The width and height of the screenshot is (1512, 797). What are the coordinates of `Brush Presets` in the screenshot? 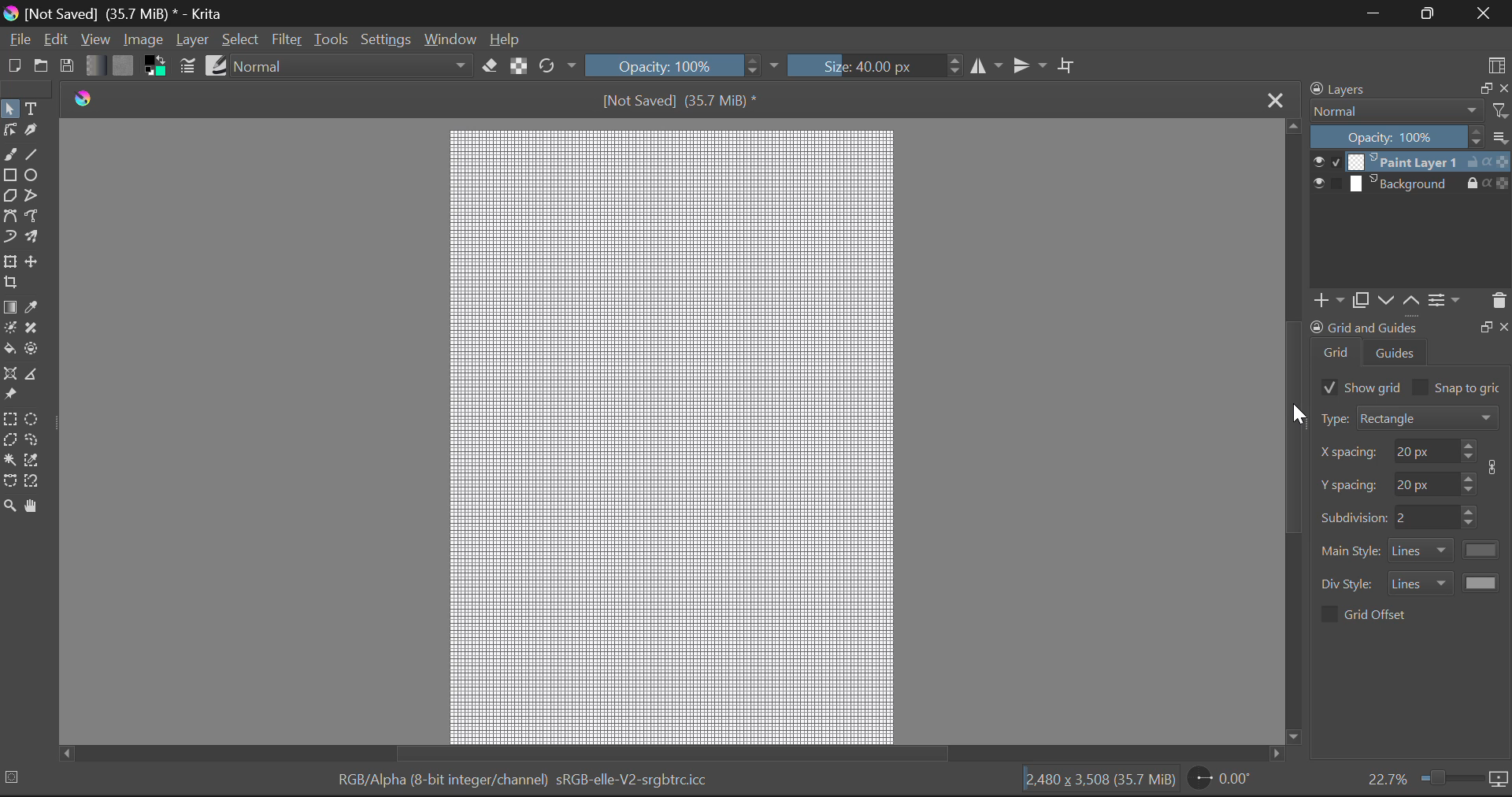 It's located at (217, 65).